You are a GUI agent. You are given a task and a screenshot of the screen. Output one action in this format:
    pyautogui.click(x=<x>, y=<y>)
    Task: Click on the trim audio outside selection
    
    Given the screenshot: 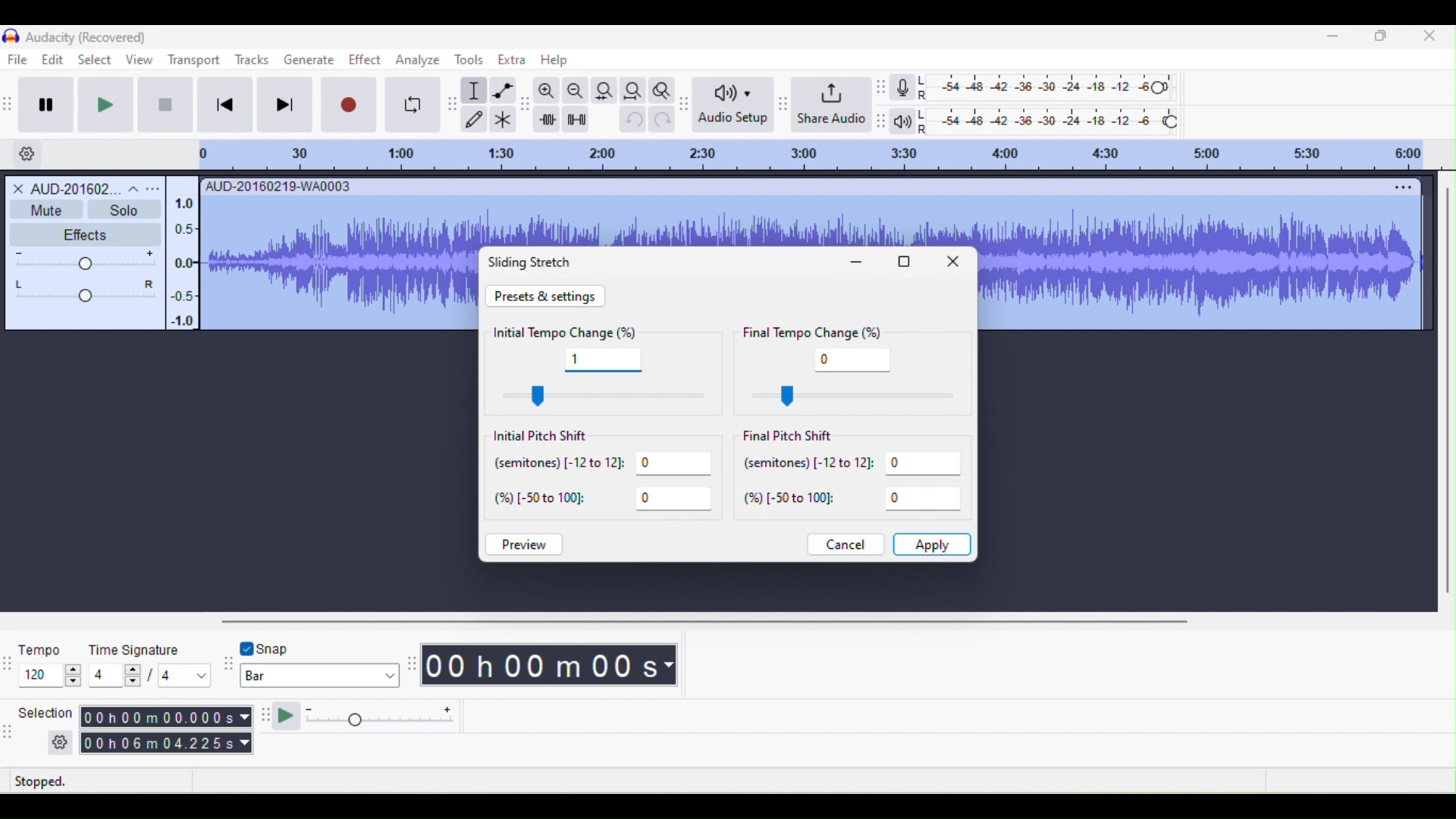 What is the action you would take?
    pyautogui.click(x=548, y=119)
    